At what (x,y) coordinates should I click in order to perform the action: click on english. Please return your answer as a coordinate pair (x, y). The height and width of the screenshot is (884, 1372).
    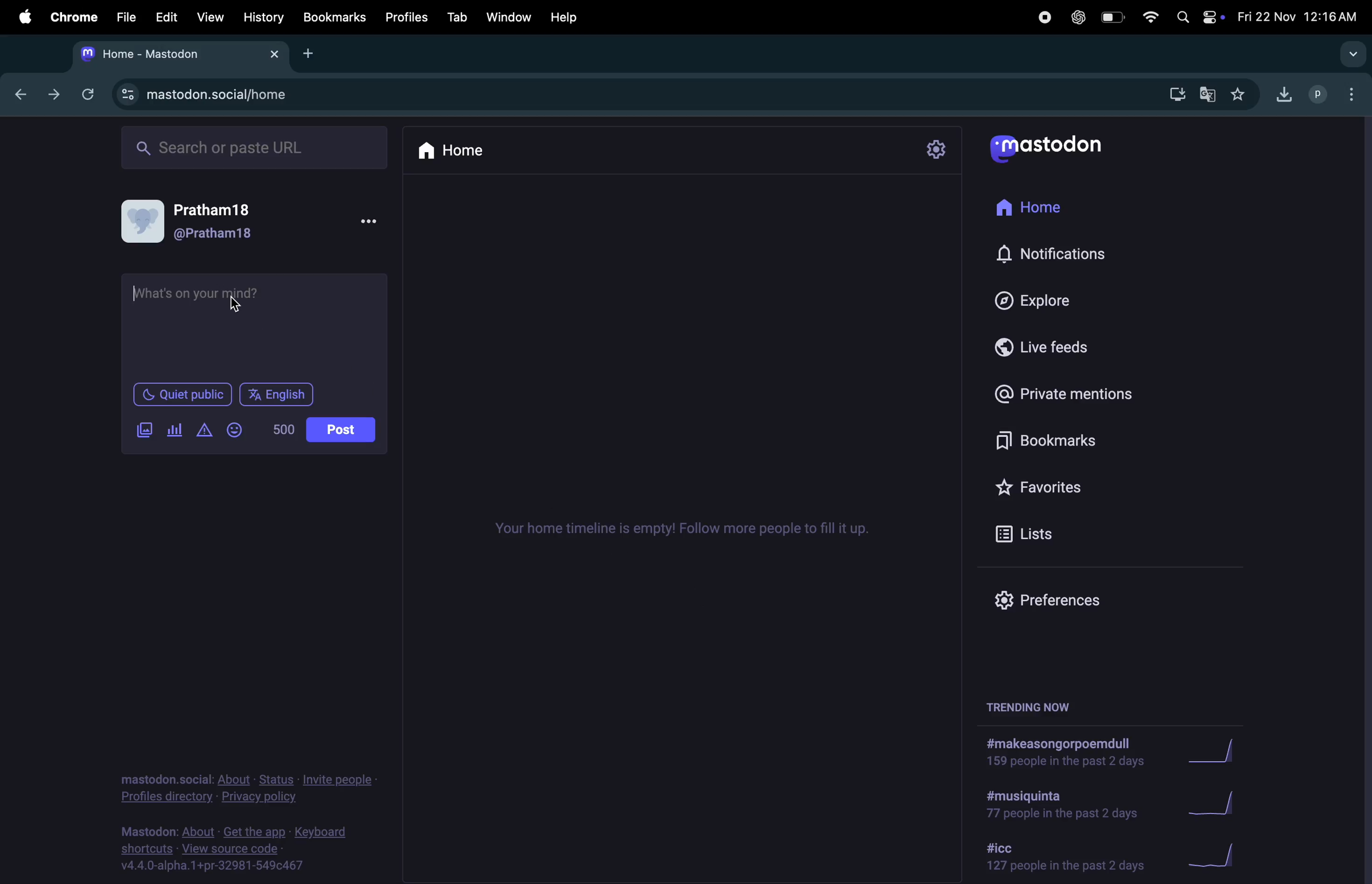
    Looking at the image, I should click on (274, 396).